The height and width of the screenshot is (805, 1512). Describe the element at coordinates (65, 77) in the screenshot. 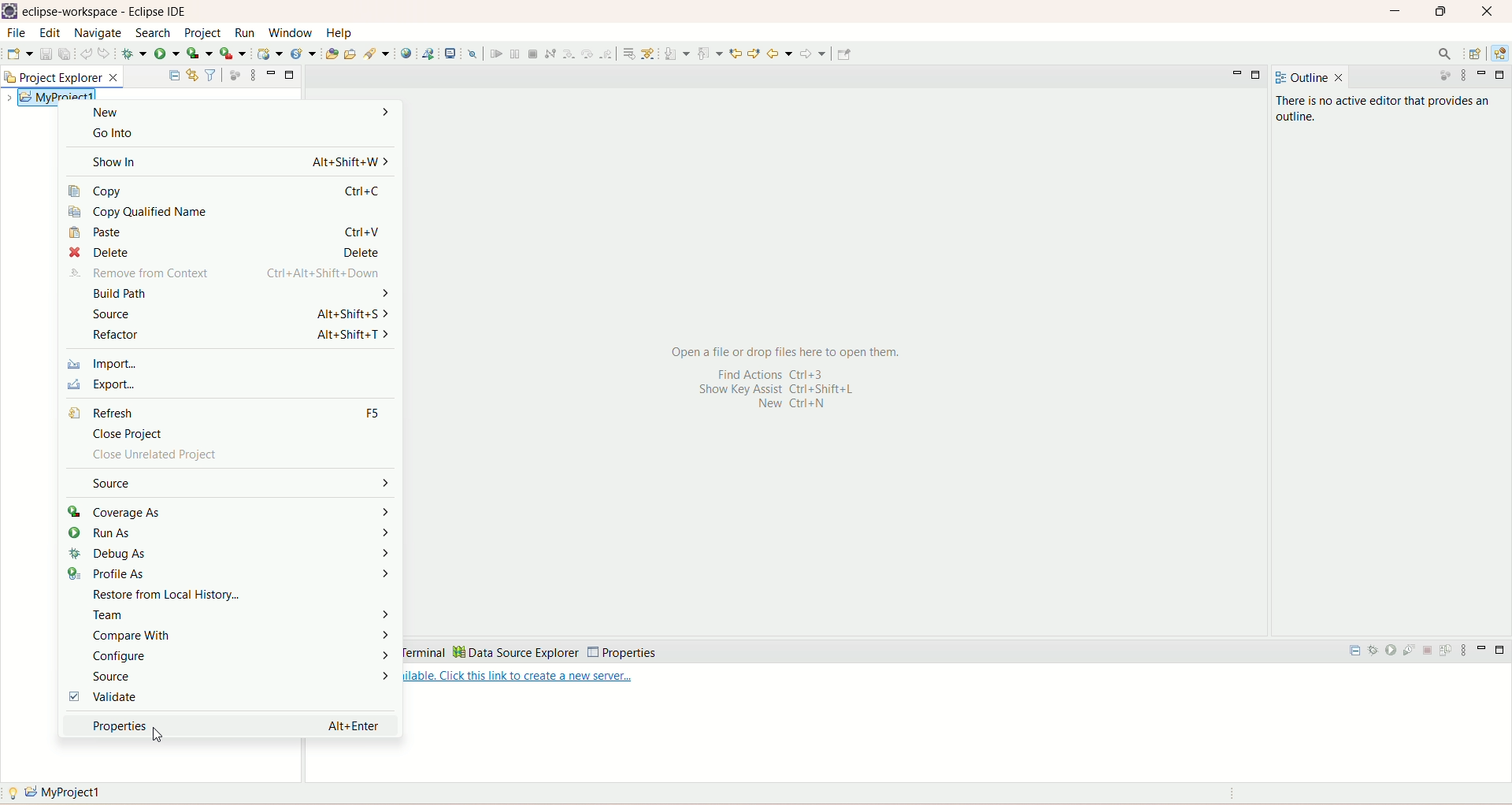

I see `project explorer` at that location.